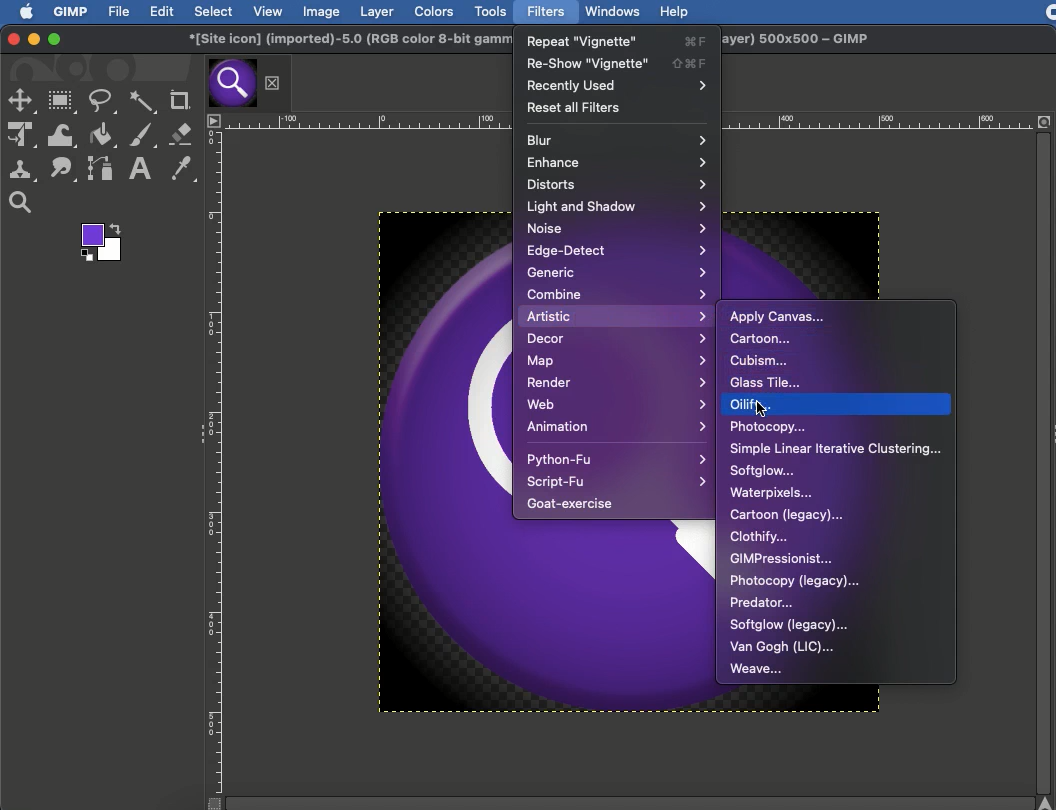  I want to click on Windows, so click(612, 10).